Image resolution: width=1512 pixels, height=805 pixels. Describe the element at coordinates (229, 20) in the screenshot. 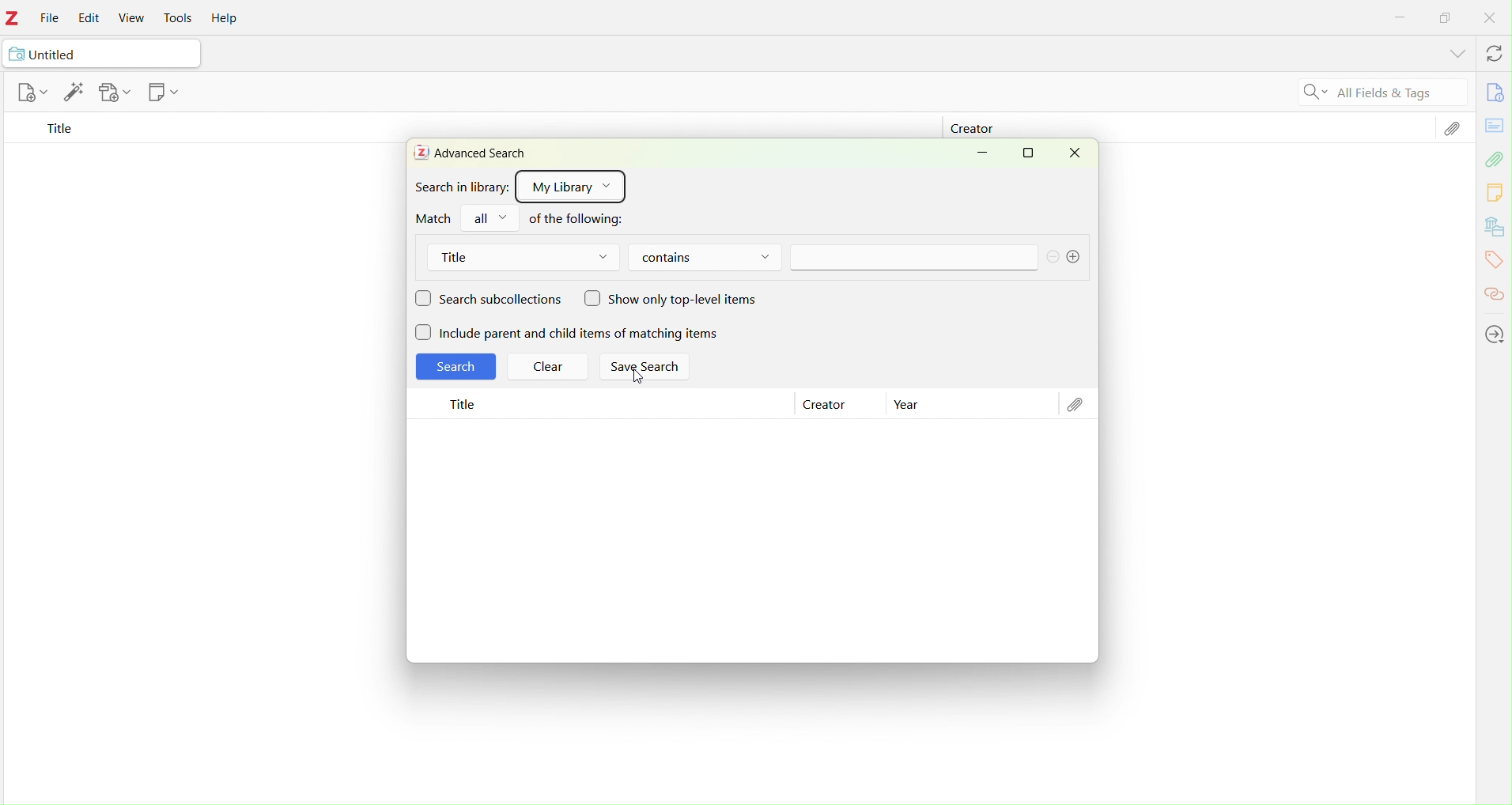

I see `Help` at that location.